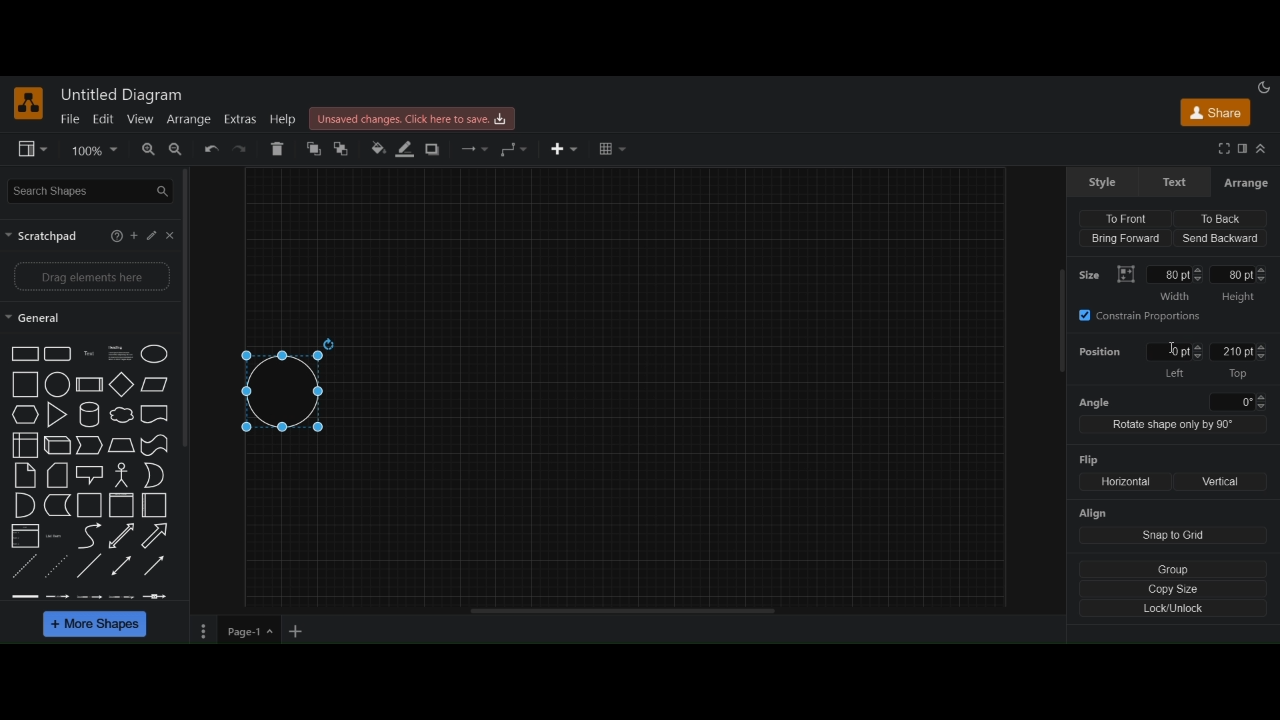  Describe the element at coordinates (240, 120) in the screenshot. I see `extras` at that location.